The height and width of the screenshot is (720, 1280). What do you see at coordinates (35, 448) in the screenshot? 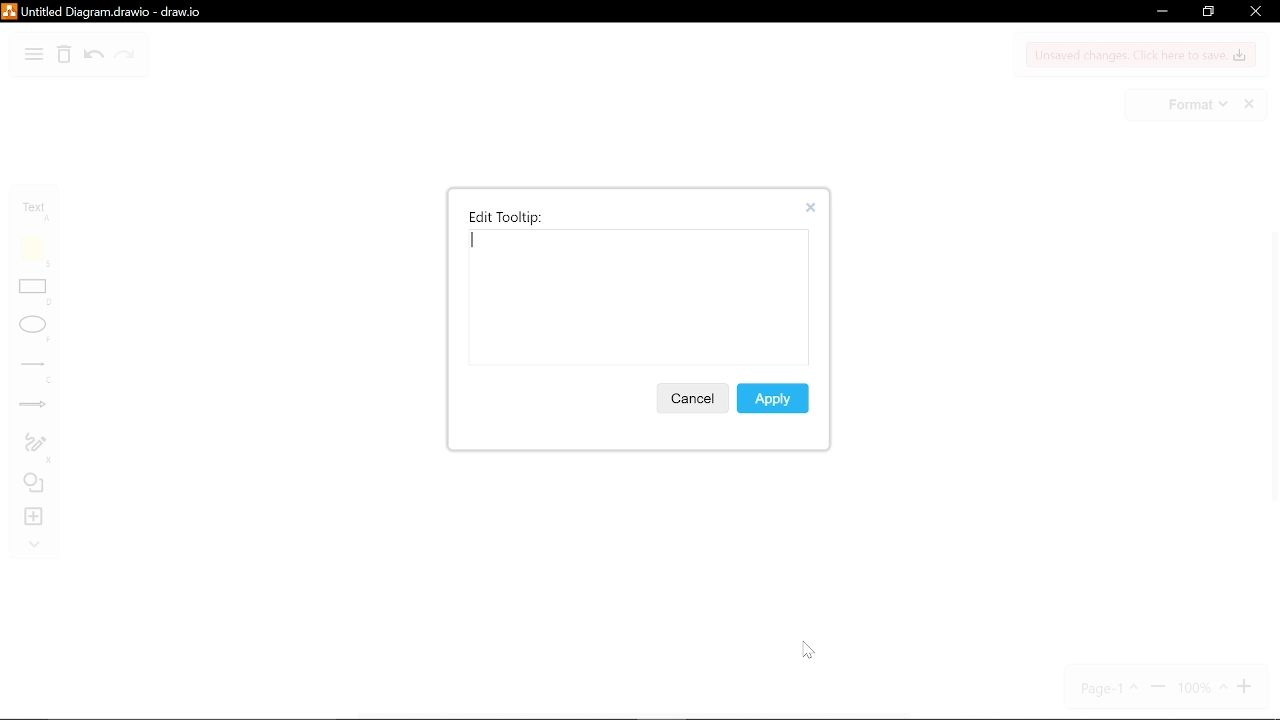
I see `freehand` at bounding box center [35, 448].